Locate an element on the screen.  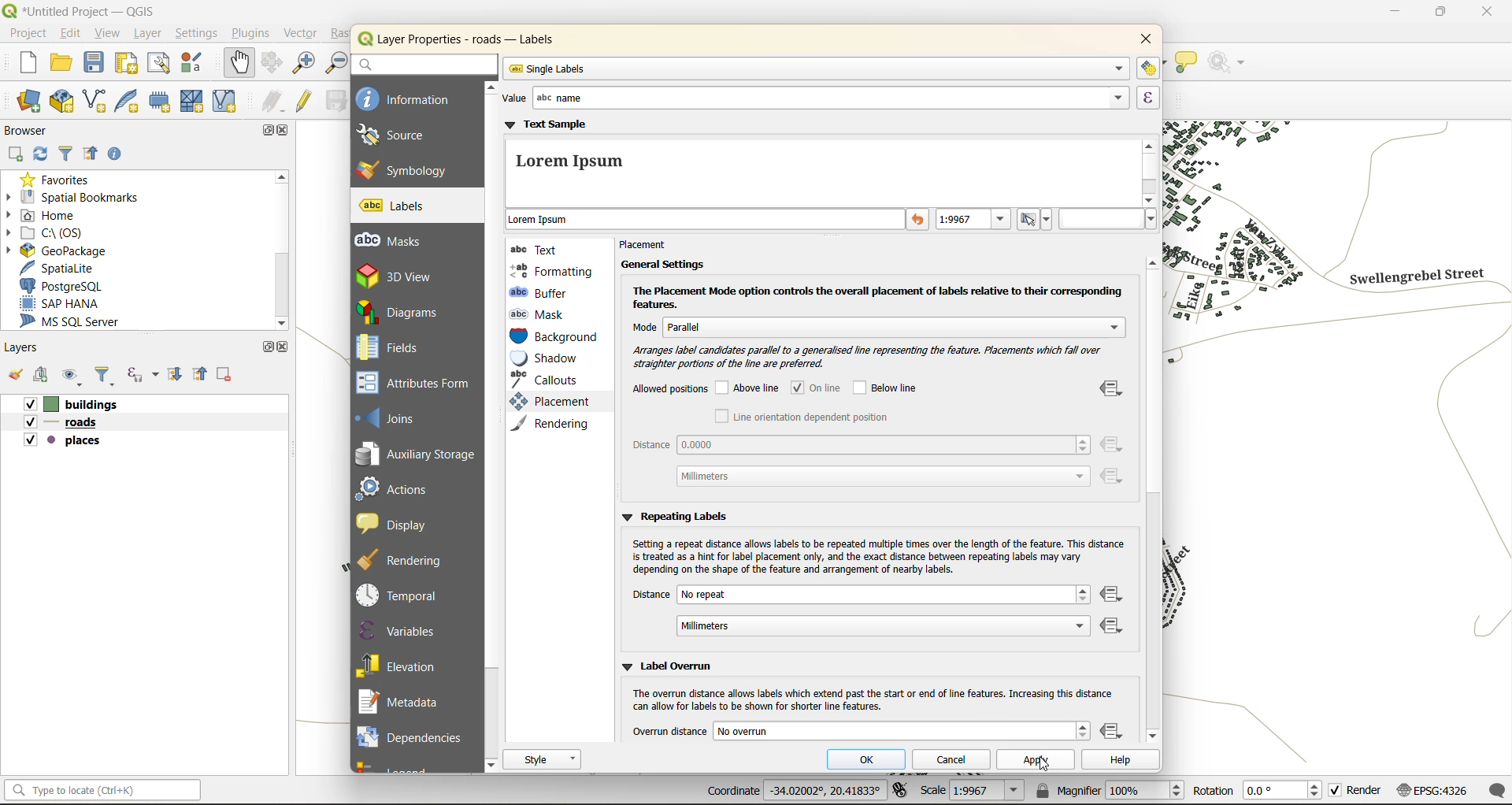
pan to selection is located at coordinates (272, 64).